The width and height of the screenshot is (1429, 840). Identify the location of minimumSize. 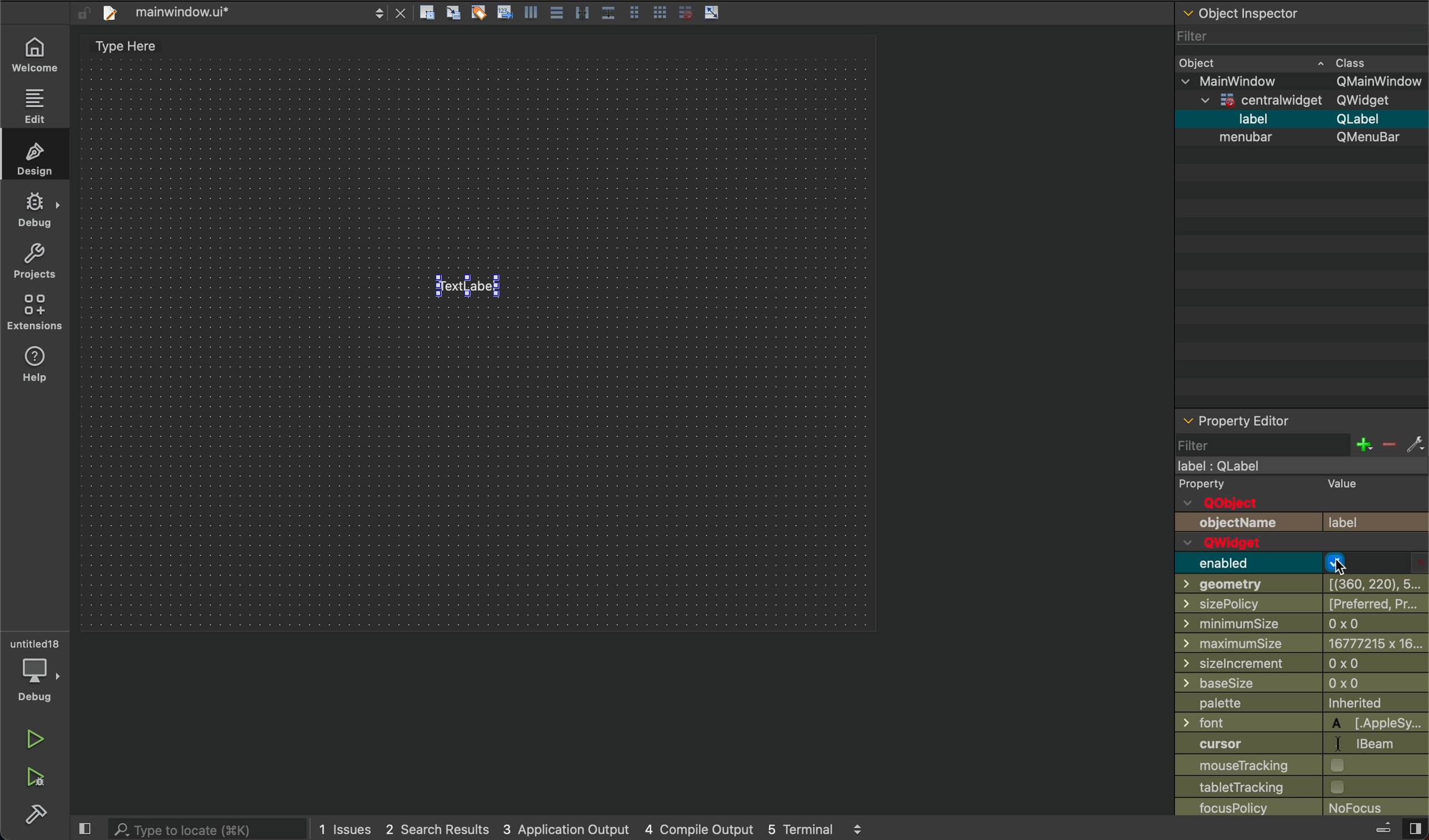
(1247, 623).